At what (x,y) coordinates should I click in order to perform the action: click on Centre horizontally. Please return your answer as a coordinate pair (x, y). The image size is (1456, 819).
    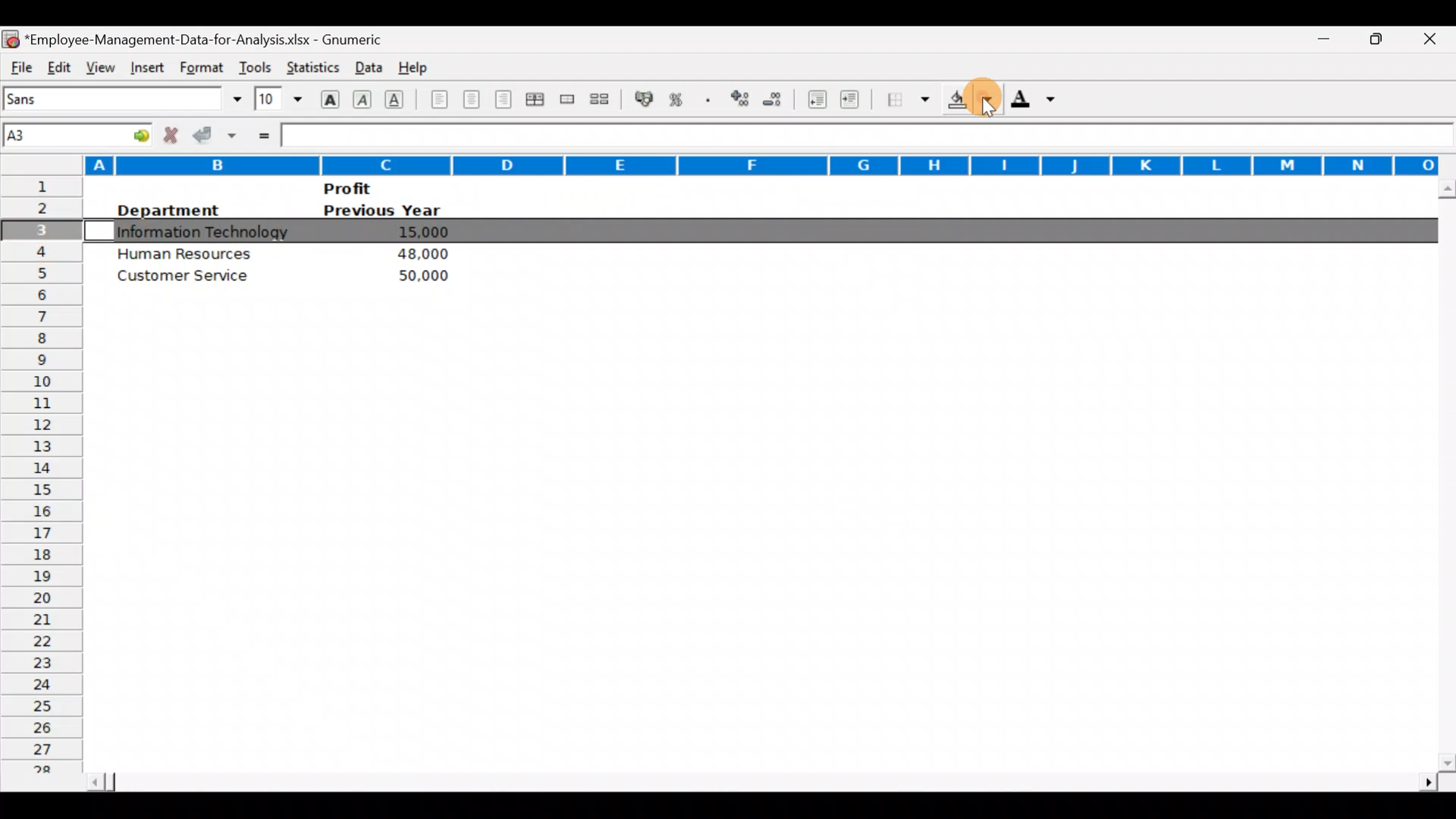
    Looking at the image, I should click on (472, 102).